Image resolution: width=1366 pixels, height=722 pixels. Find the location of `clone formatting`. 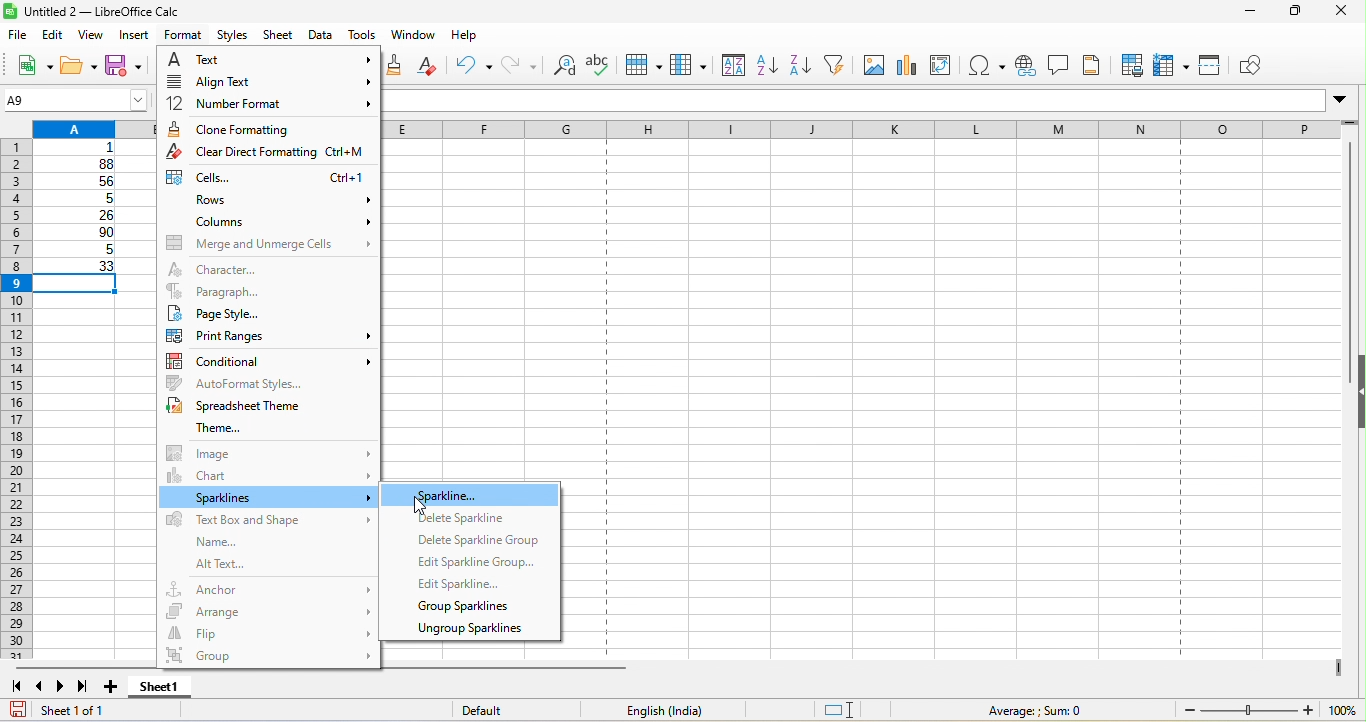

clone formatting is located at coordinates (399, 65).